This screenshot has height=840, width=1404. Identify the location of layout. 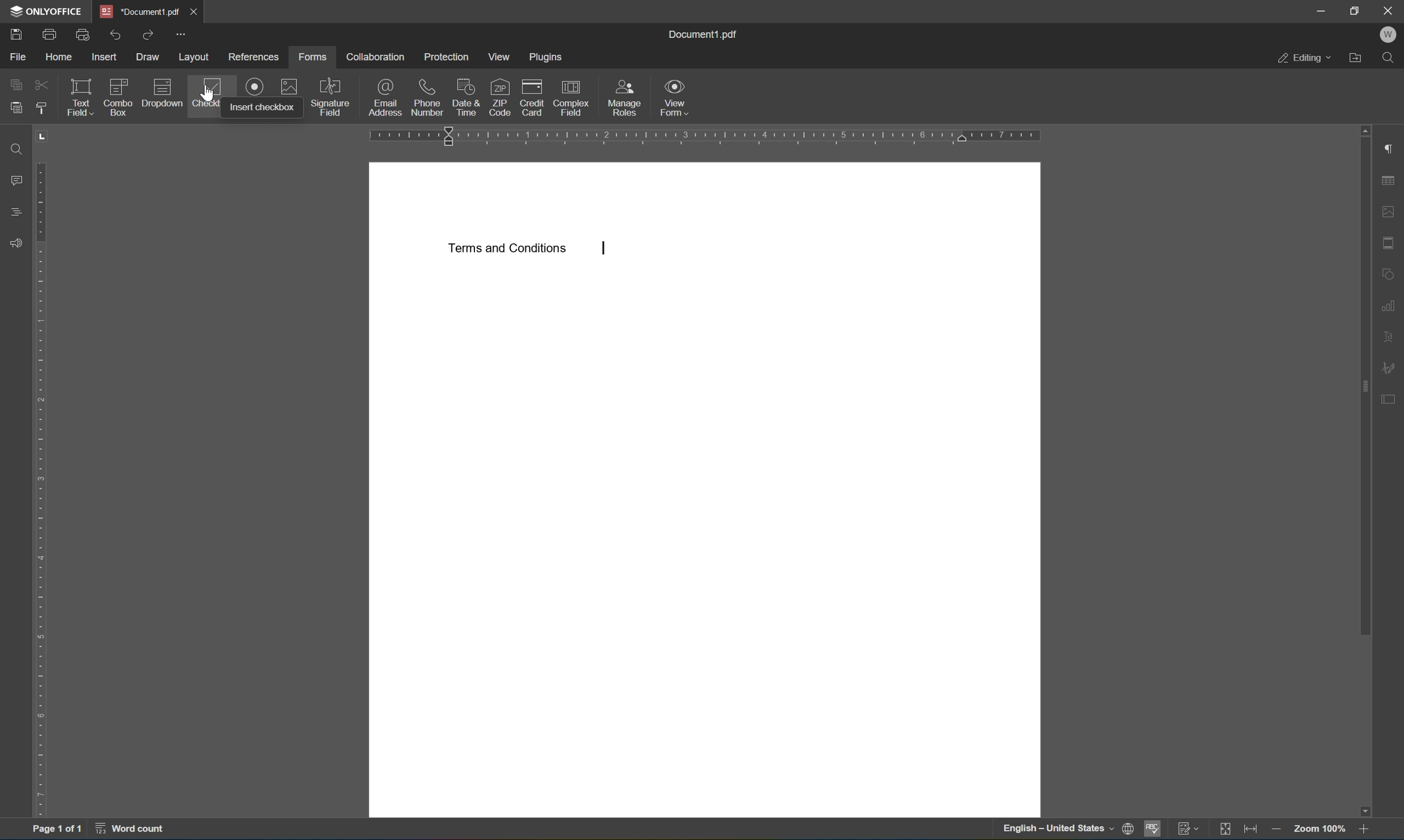
(194, 57).